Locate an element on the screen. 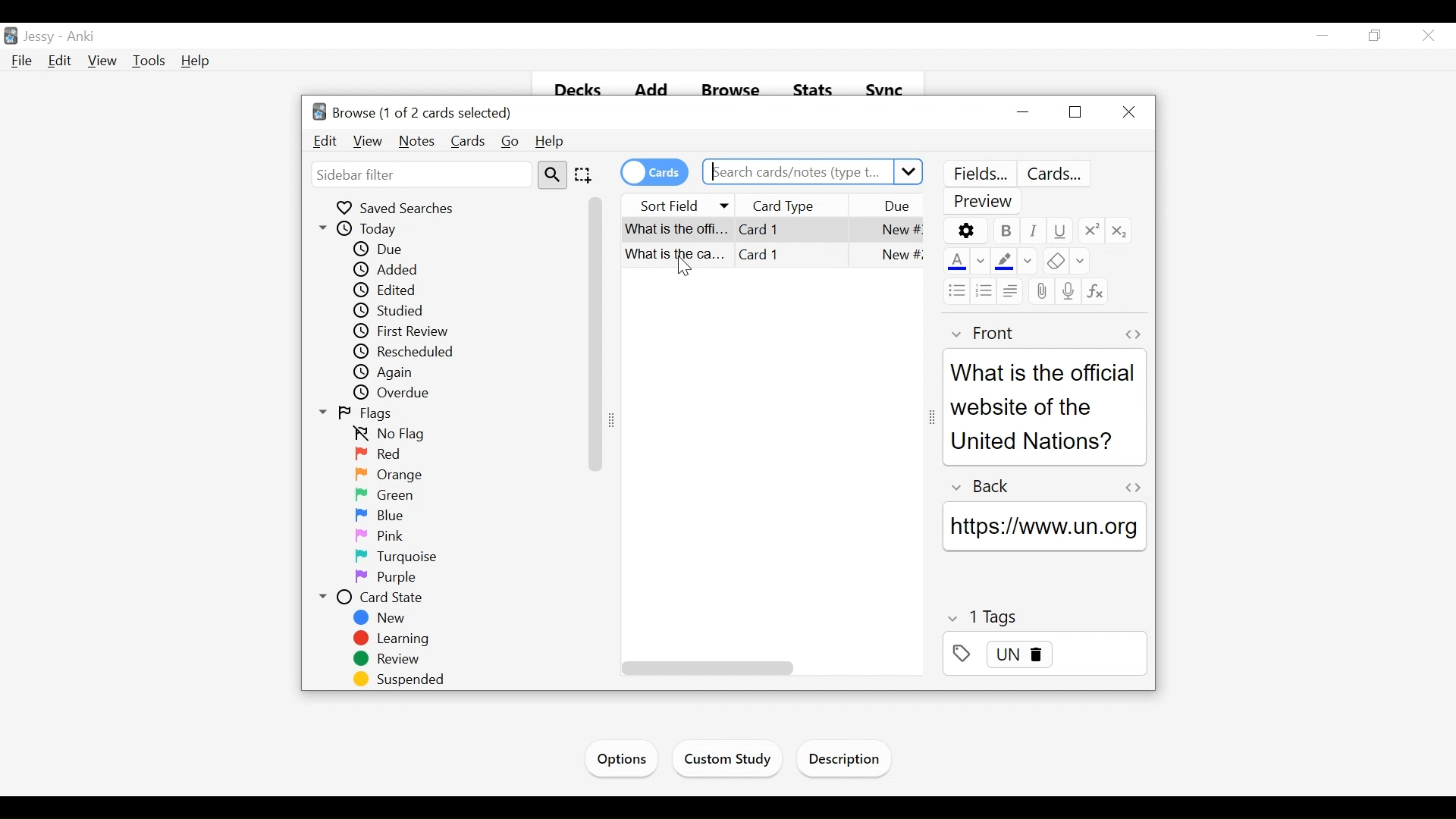  Change color is located at coordinates (1080, 262).